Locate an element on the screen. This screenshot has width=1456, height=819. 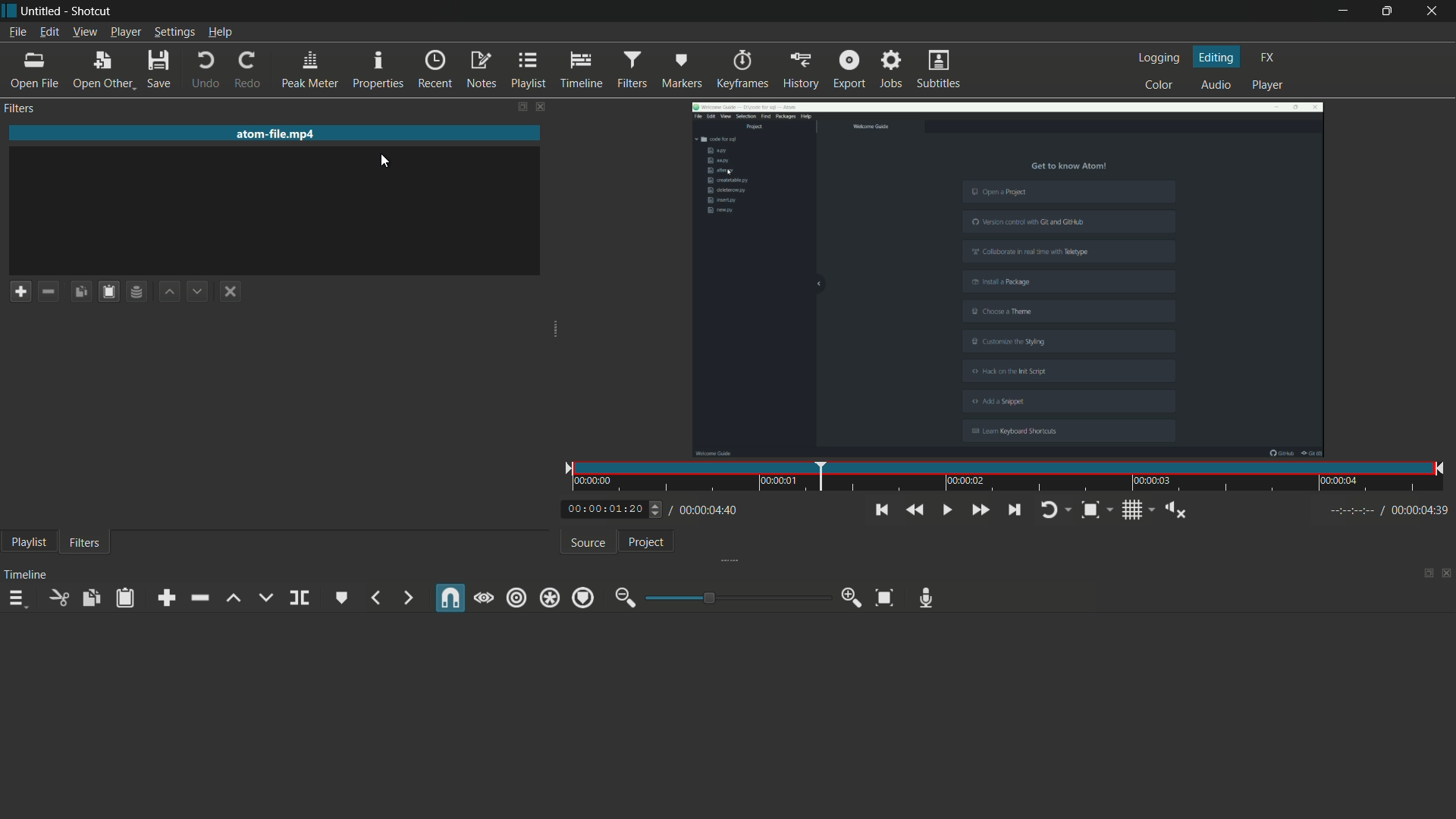
toggle grid is located at coordinates (1134, 510).